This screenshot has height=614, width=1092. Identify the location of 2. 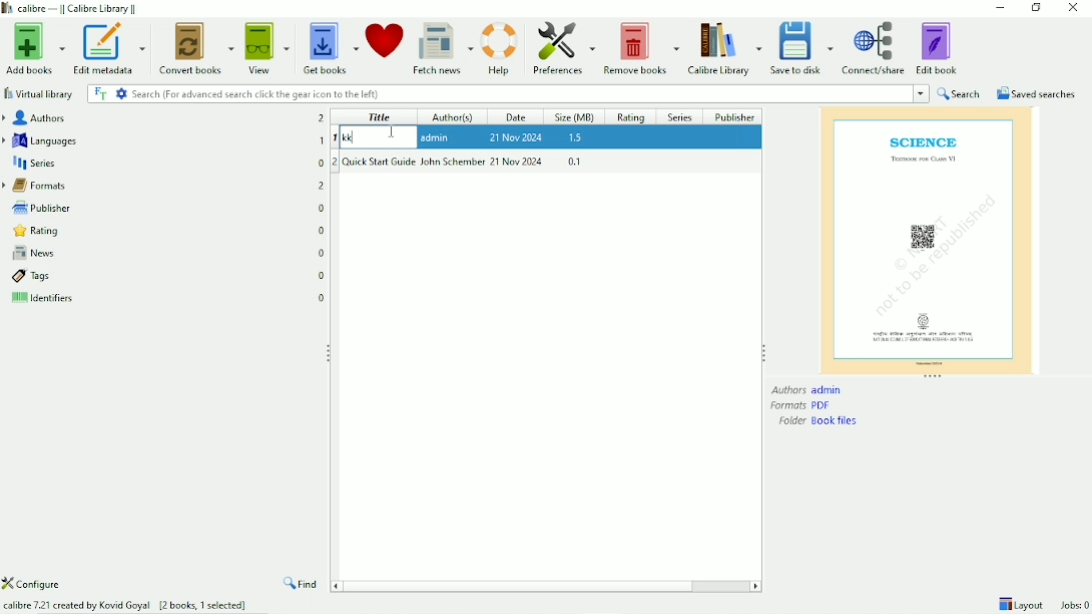
(322, 186).